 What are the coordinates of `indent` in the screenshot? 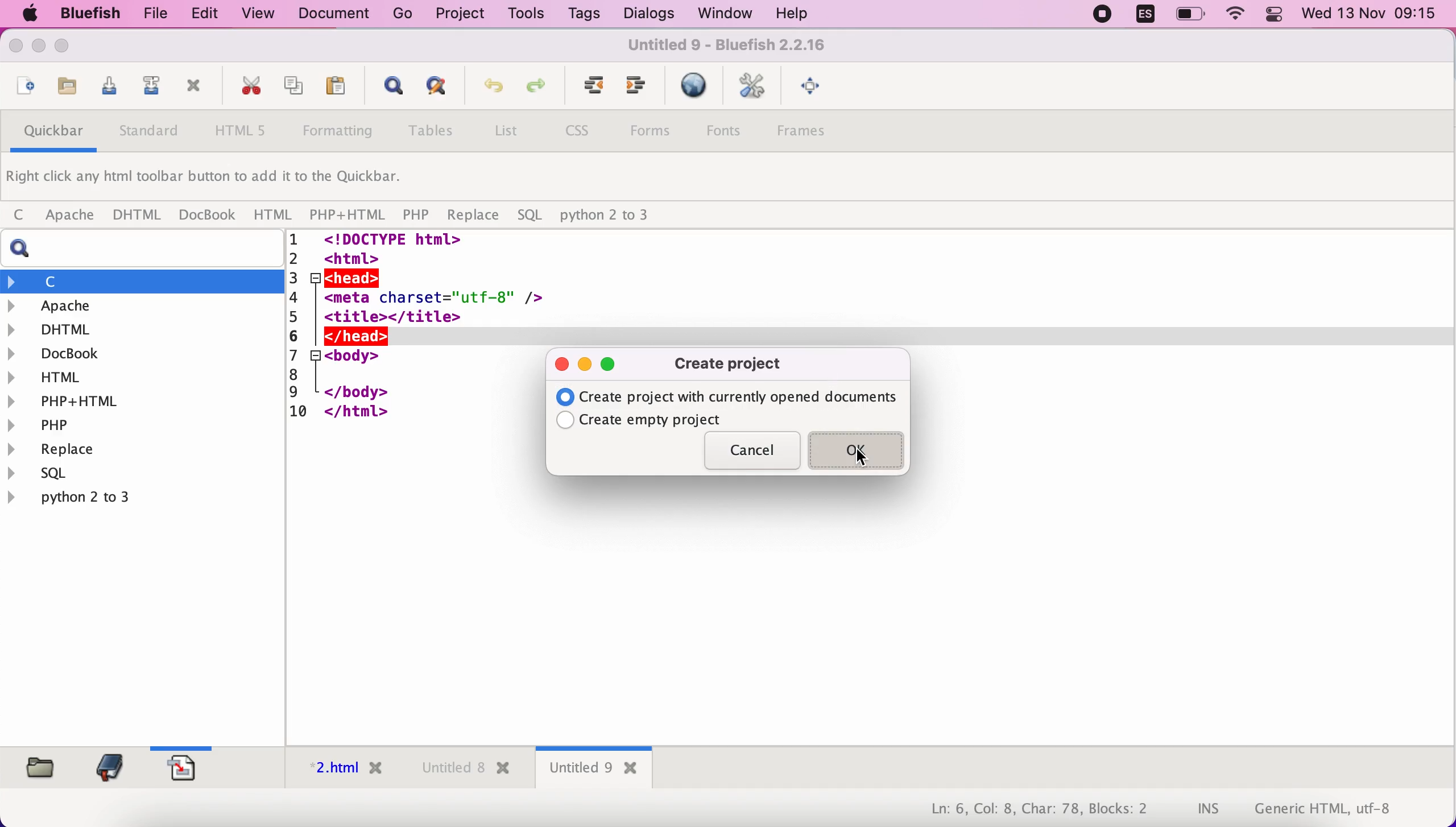 It's located at (588, 90).